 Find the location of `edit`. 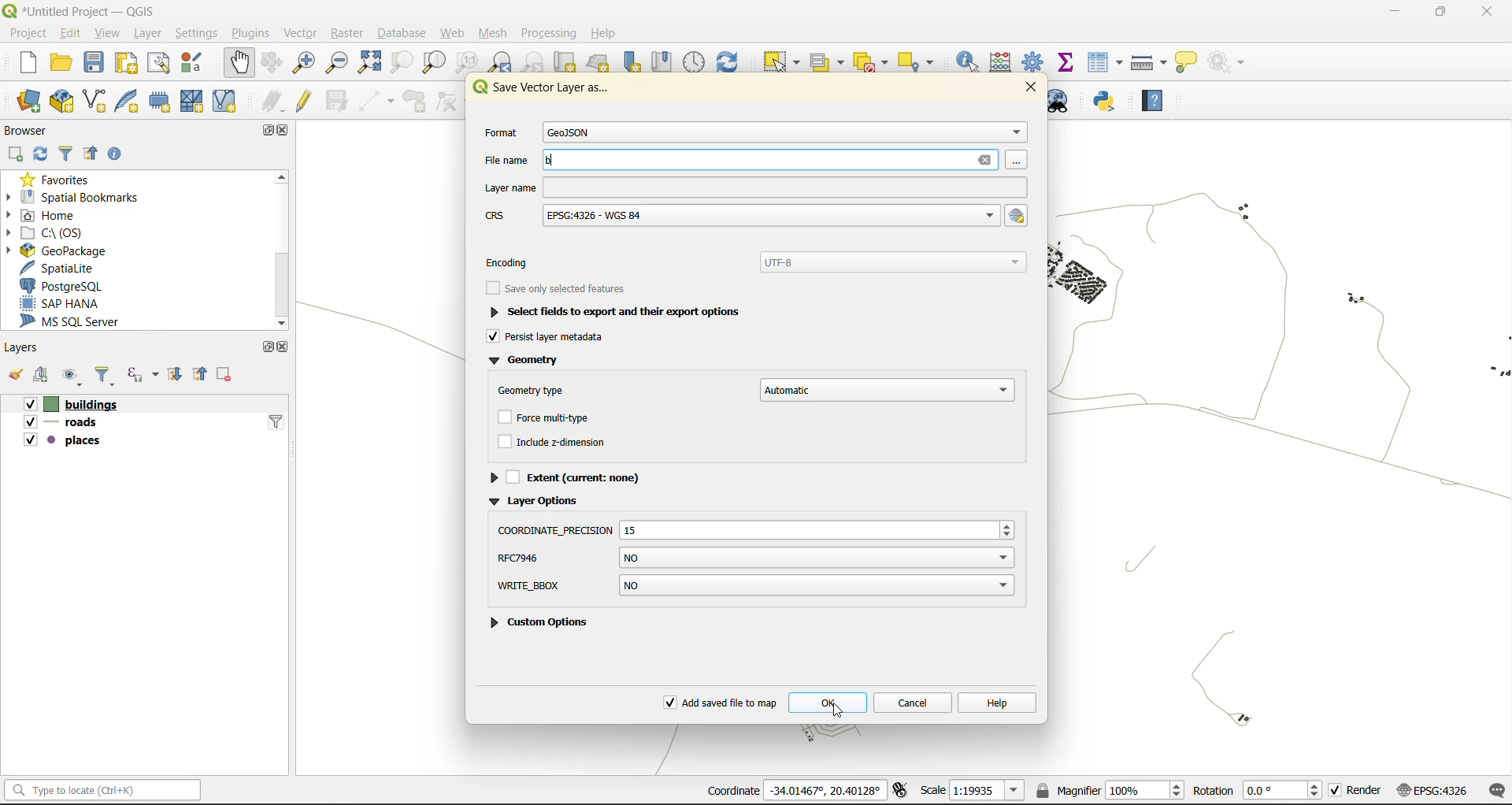

edit is located at coordinates (70, 32).